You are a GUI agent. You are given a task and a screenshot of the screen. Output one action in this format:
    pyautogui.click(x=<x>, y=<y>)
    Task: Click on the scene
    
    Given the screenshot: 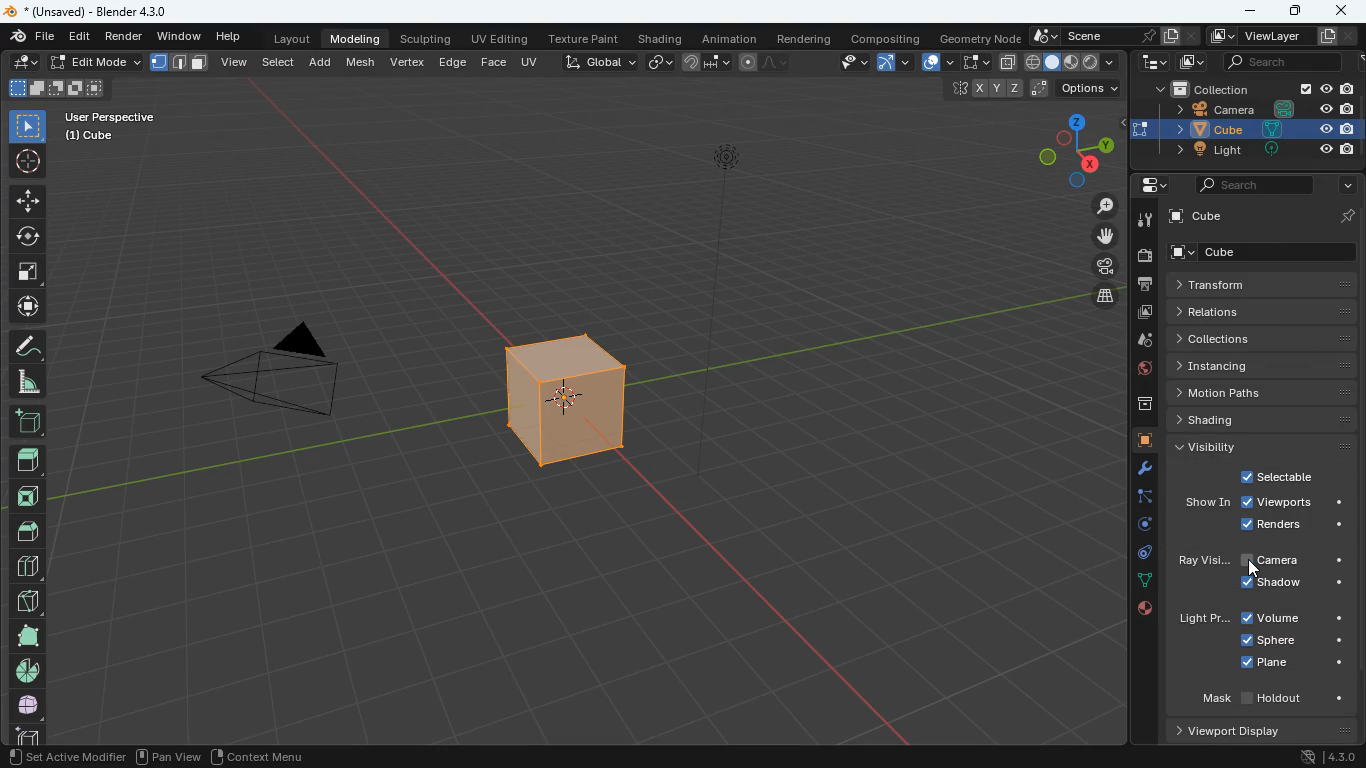 What is the action you would take?
    pyautogui.click(x=1110, y=35)
    